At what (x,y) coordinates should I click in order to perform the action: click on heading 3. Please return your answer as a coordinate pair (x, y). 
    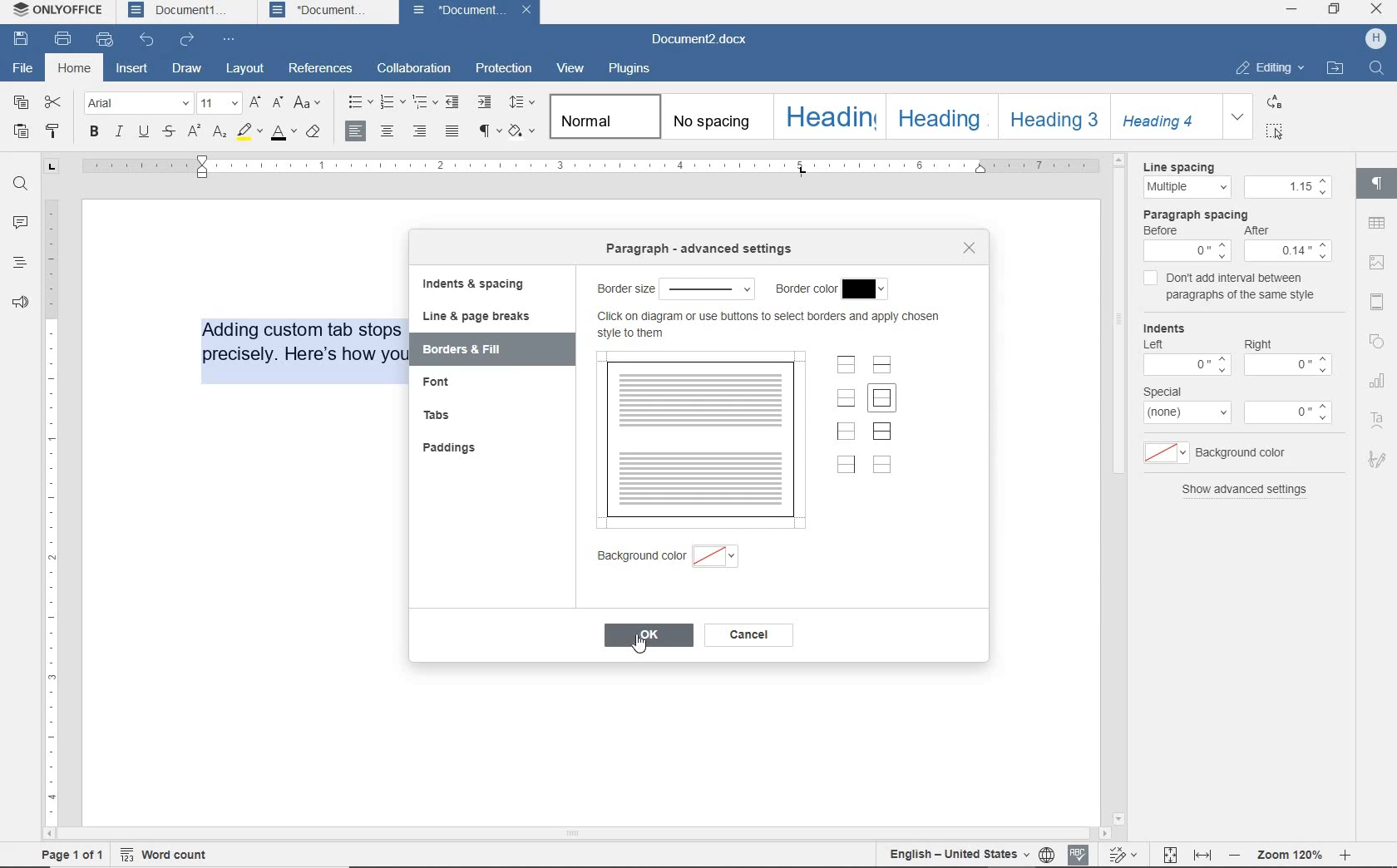
    Looking at the image, I should click on (1054, 118).